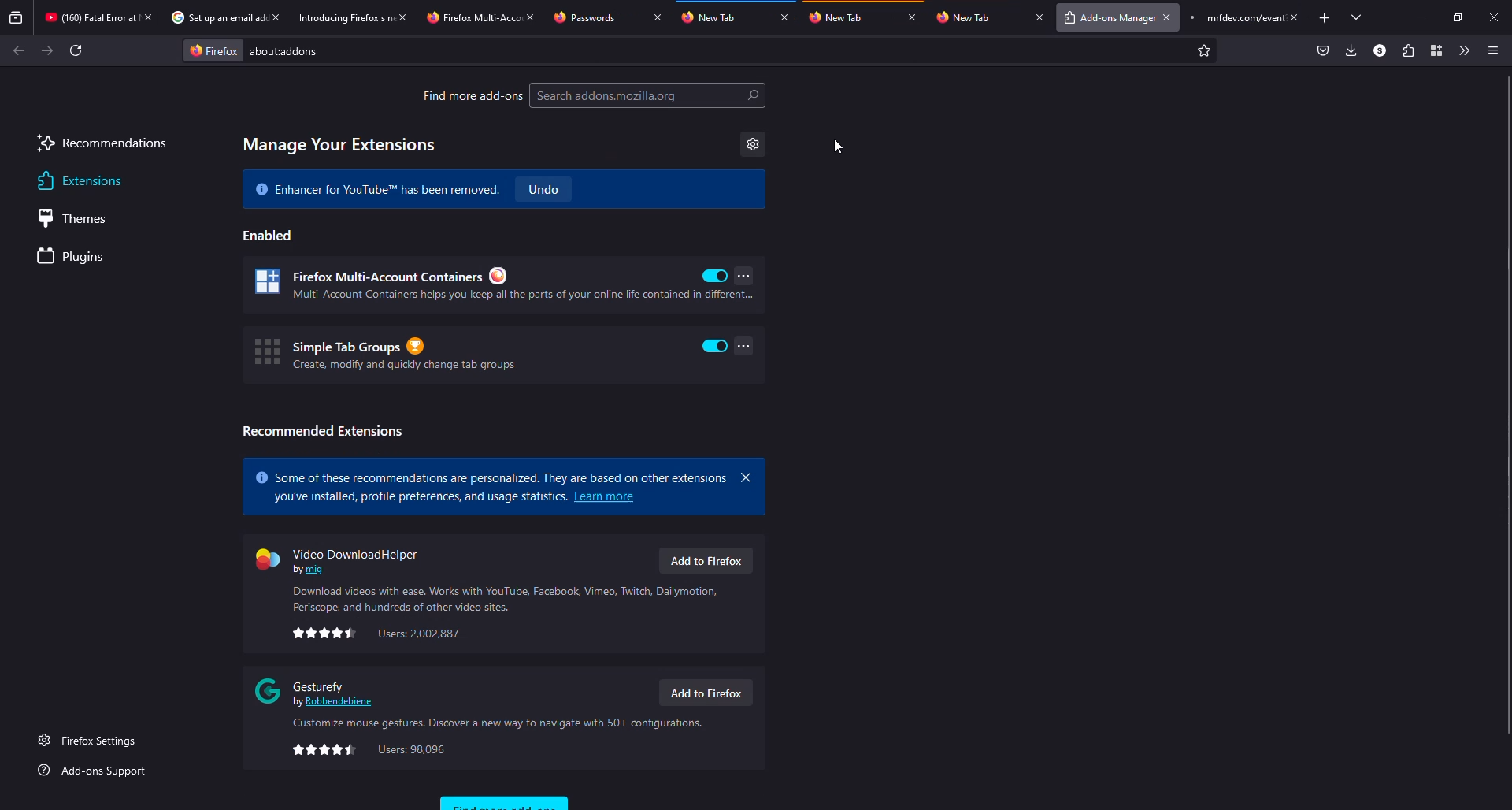 The height and width of the screenshot is (810, 1512). Describe the element at coordinates (95, 771) in the screenshot. I see `add-on support` at that location.